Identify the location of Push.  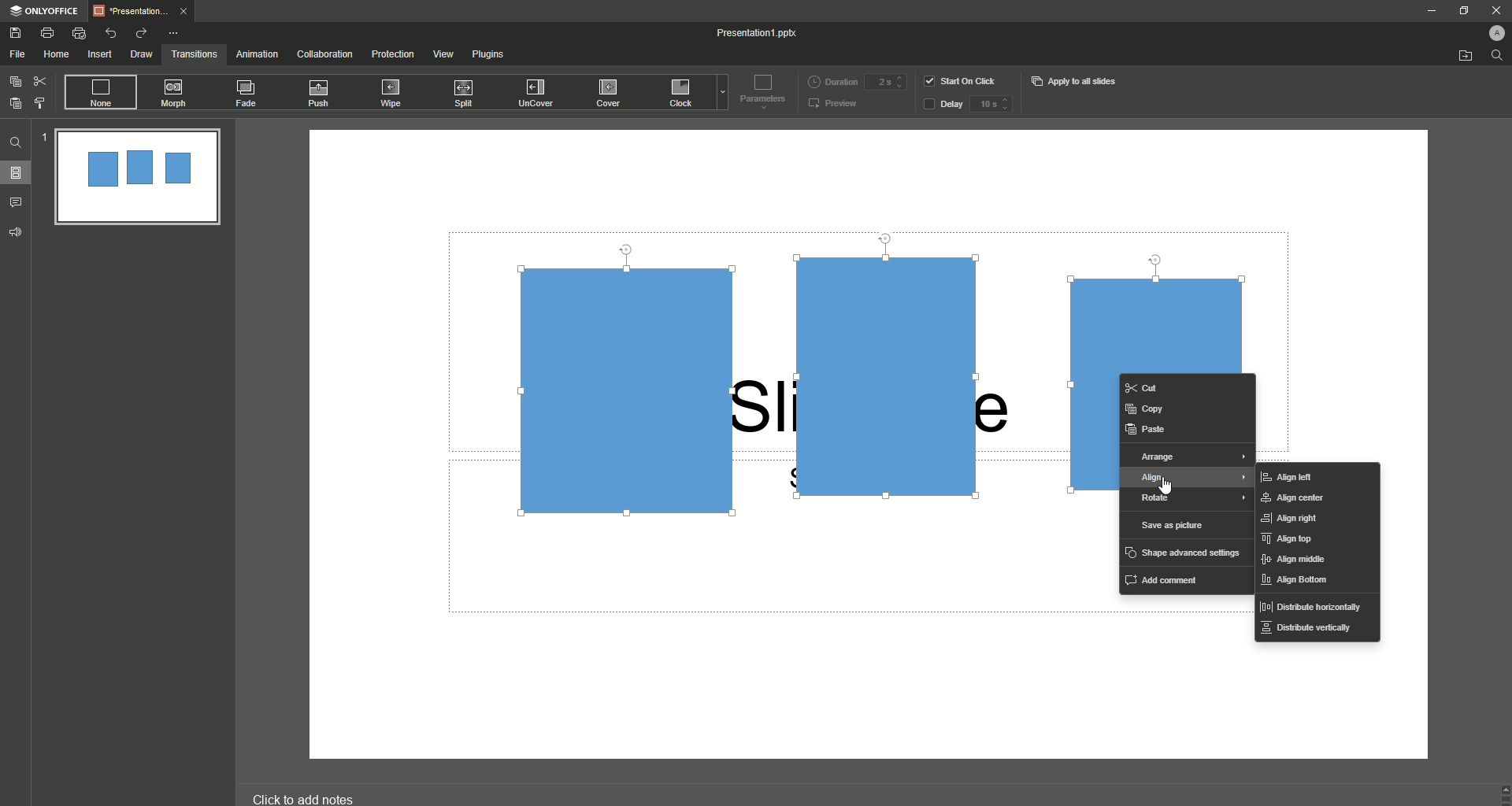
(321, 94).